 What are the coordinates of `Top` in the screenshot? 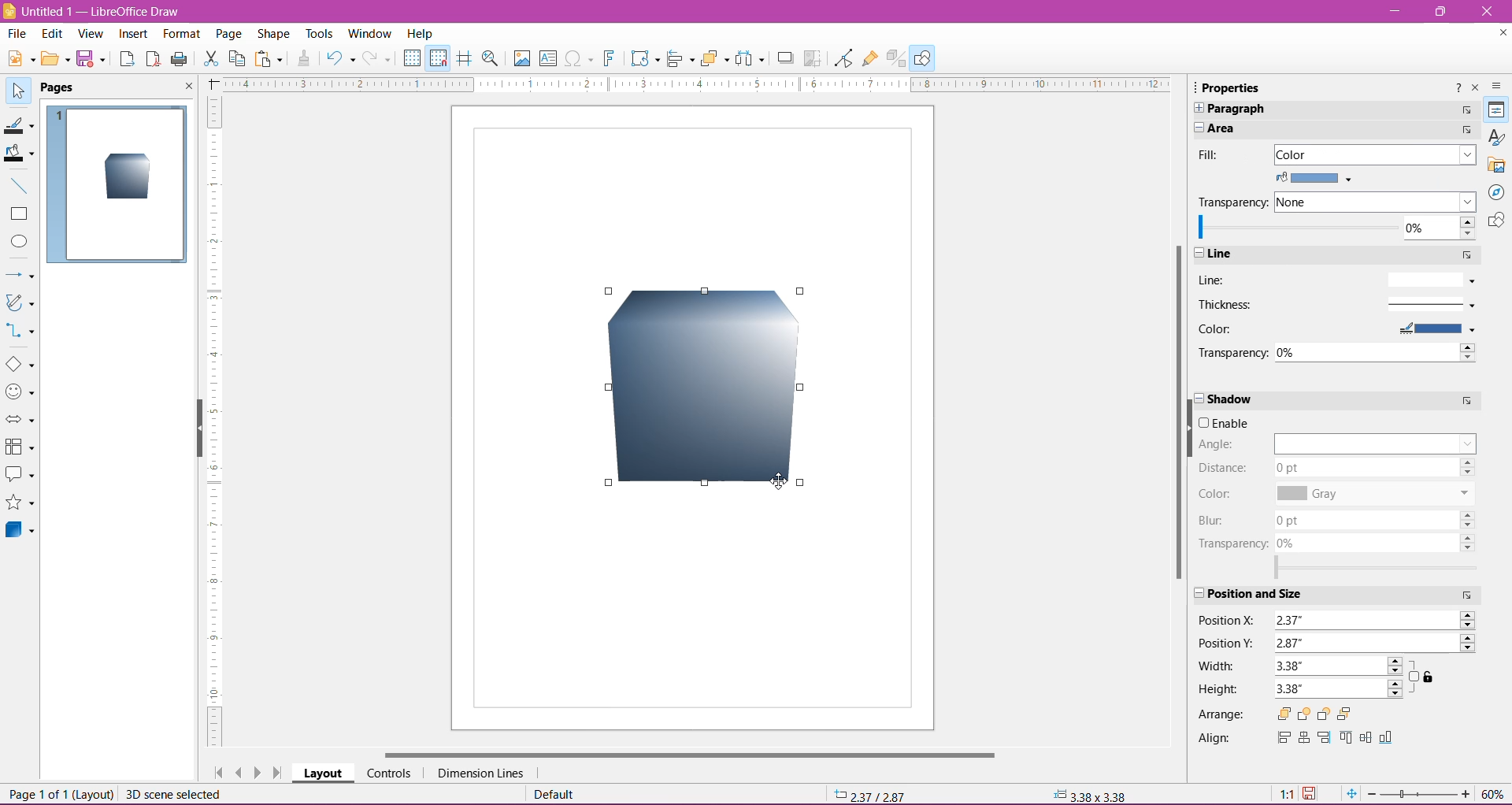 It's located at (1345, 740).